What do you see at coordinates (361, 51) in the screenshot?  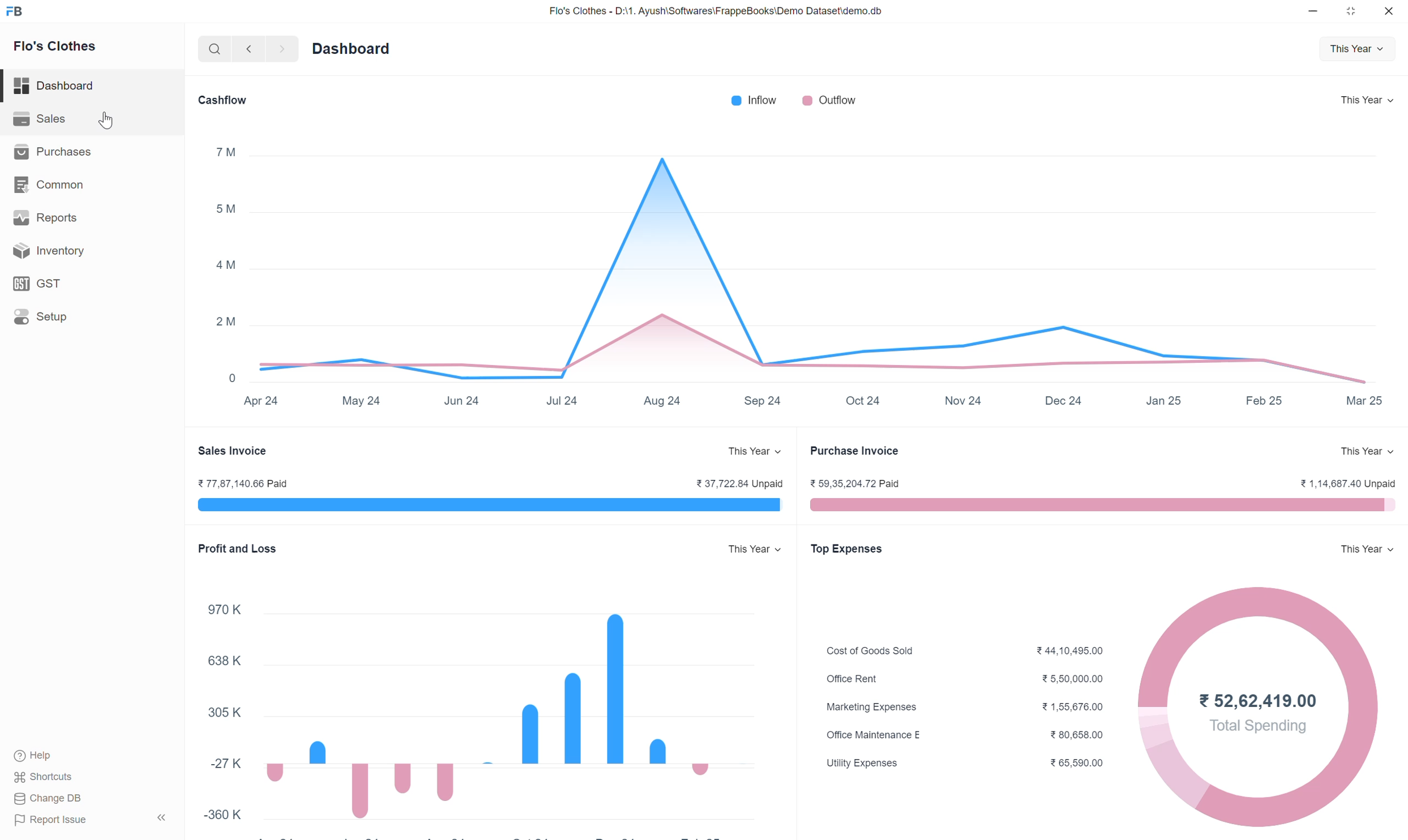 I see `Dashboard` at bounding box center [361, 51].